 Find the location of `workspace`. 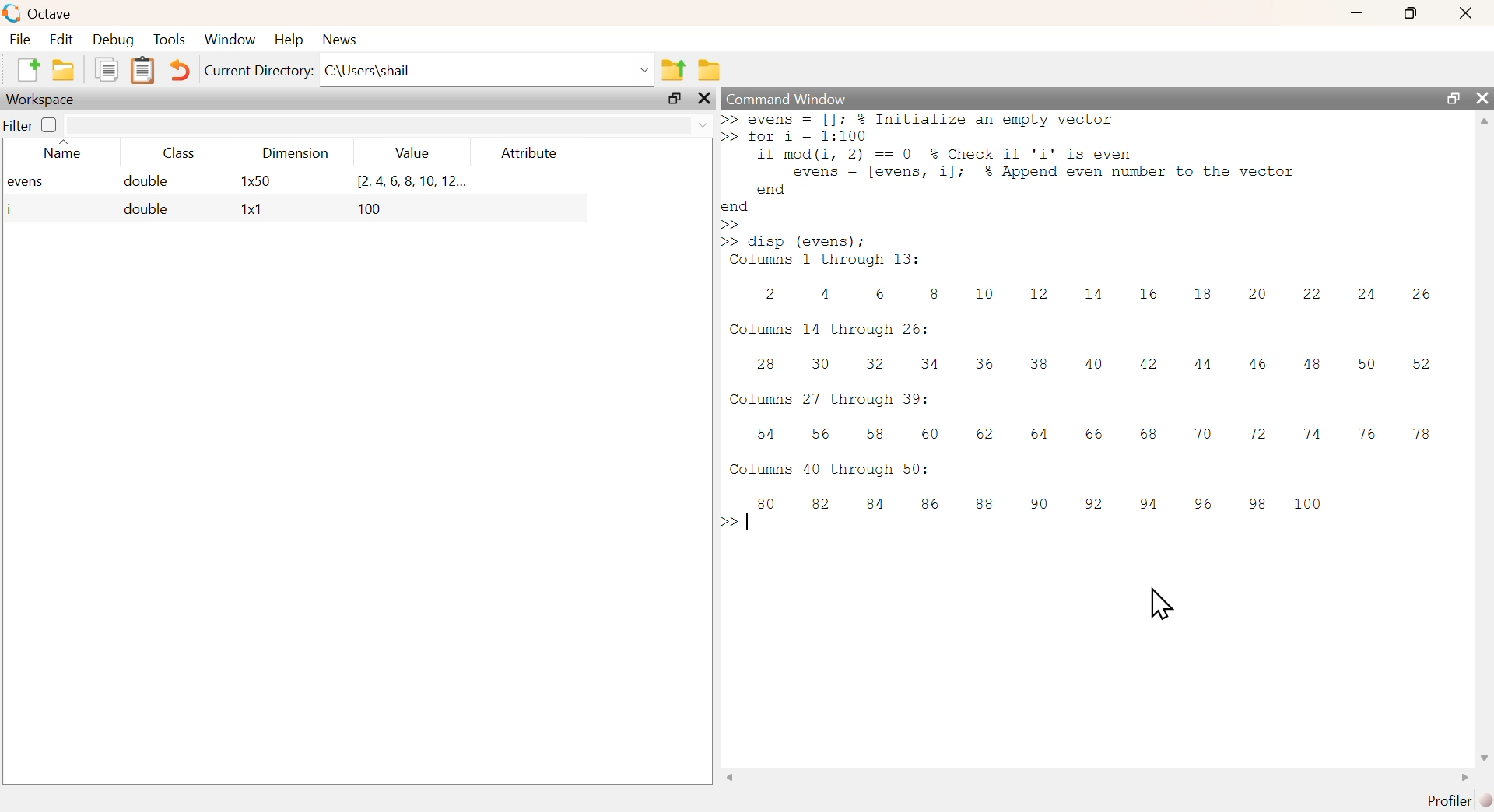

workspace is located at coordinates (44, 100).